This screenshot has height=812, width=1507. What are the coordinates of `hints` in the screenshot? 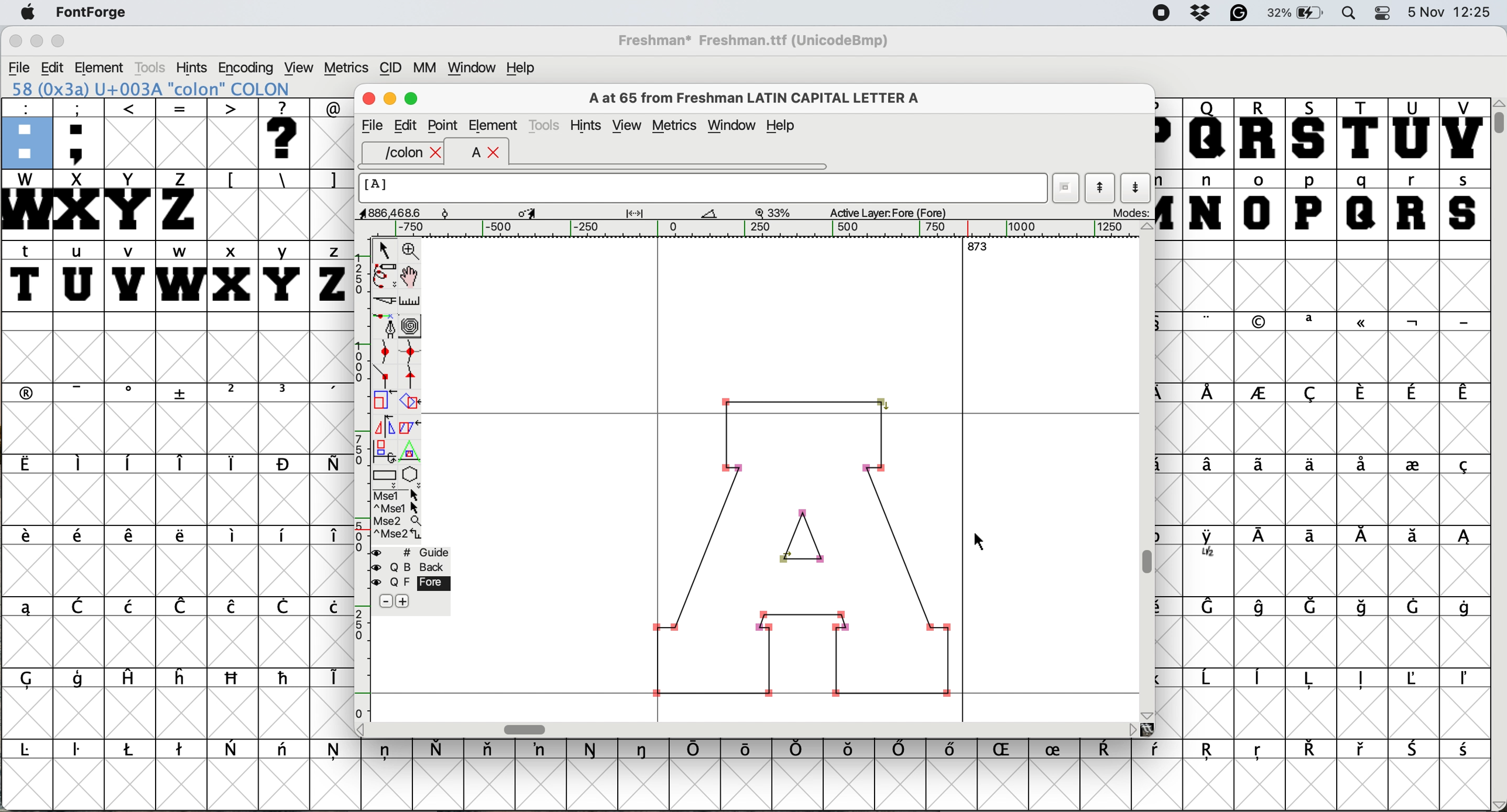 It's located at (586, 125).